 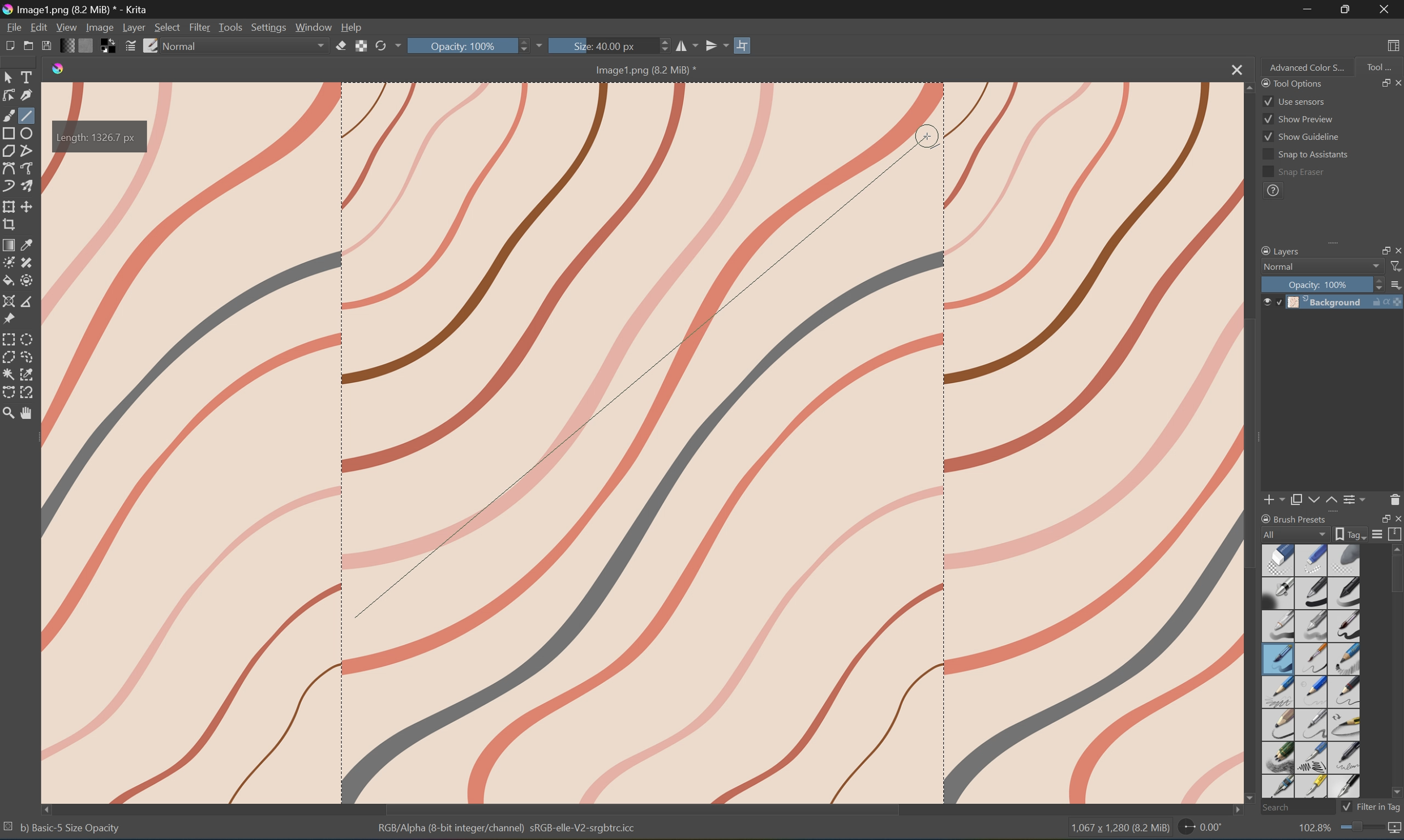 What do you see at coordinates (315, 28) in the screenshot?
I see `Window` at bounding box center [315, 28].